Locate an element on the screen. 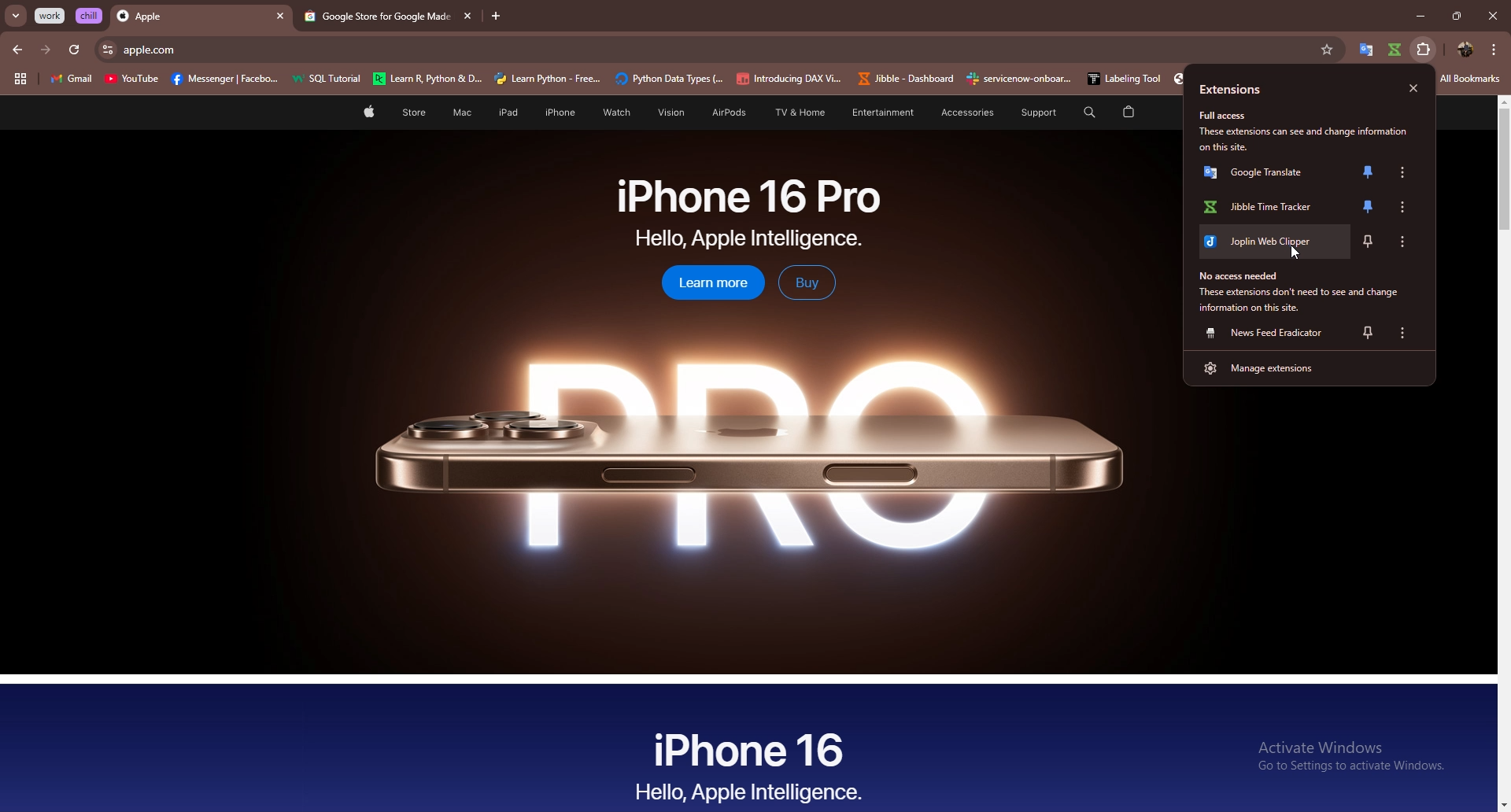  extensions is located at coordinates (1251, 90).